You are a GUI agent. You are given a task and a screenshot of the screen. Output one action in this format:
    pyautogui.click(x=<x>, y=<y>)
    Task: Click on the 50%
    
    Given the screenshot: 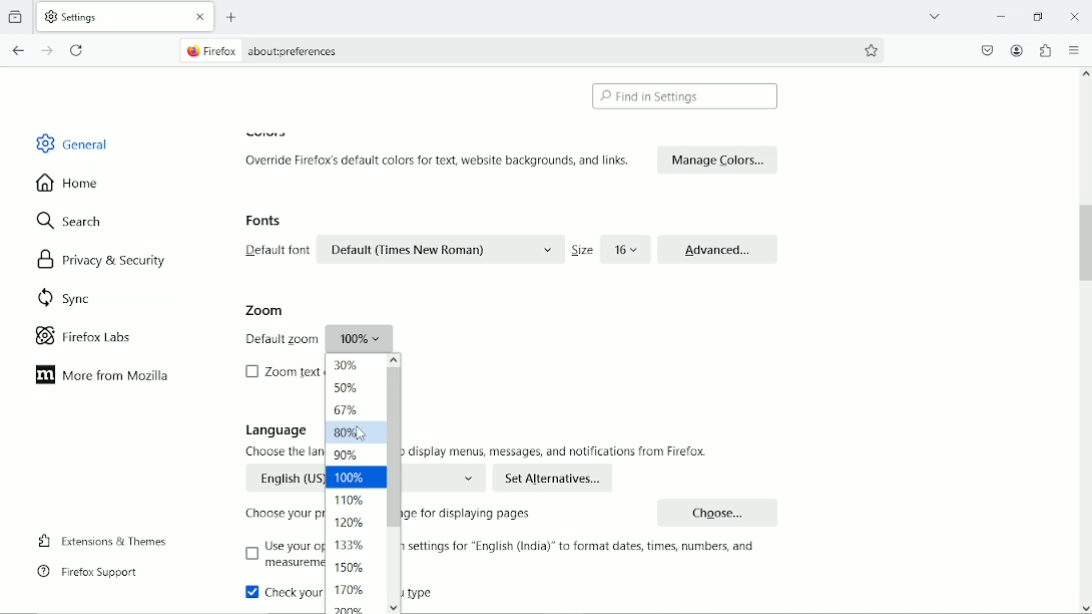 What is the action you would take?
    pyautogui.click(x=348, y=388)
    